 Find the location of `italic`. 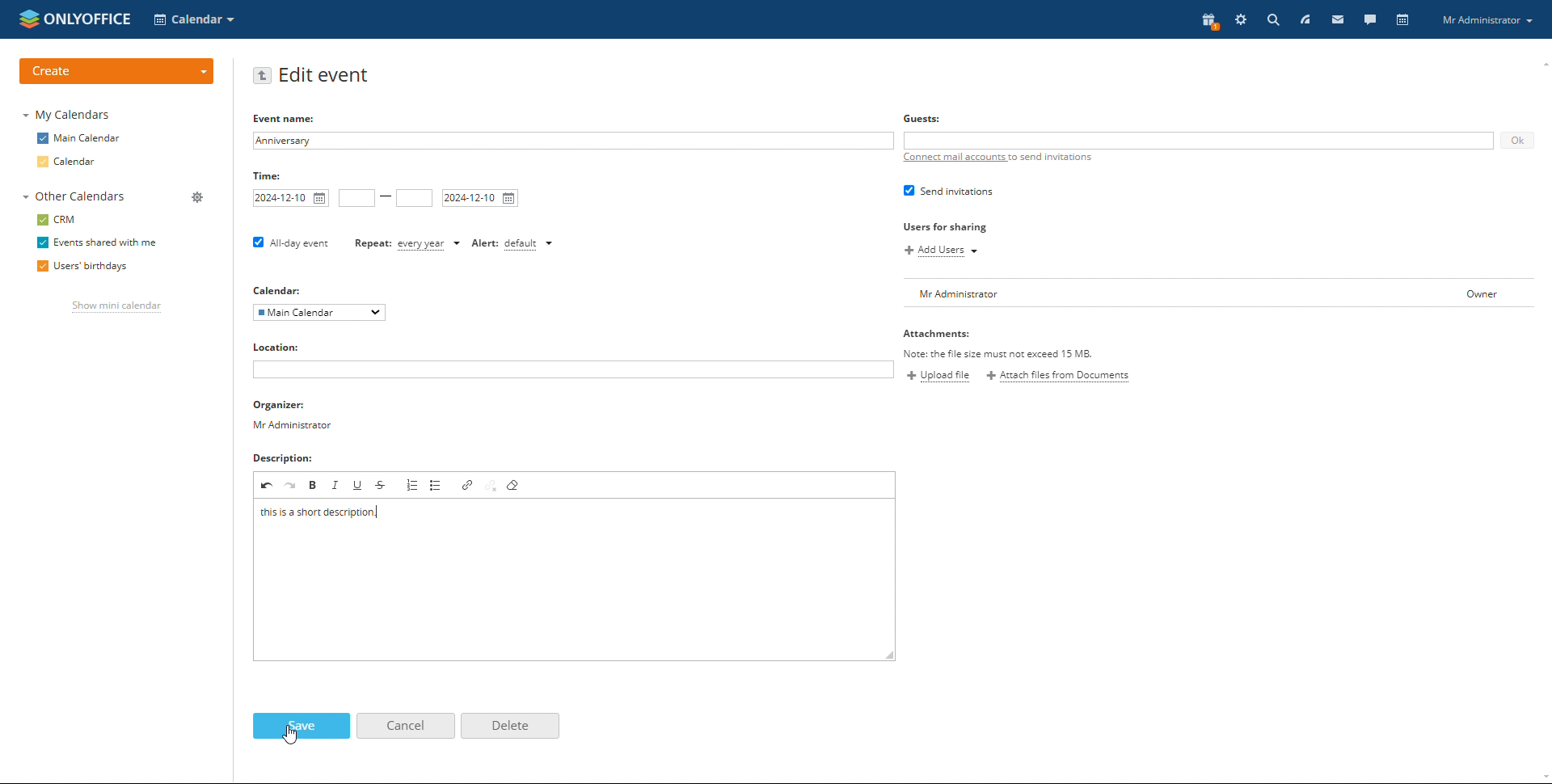

italic is located at coordinates (335, 484).